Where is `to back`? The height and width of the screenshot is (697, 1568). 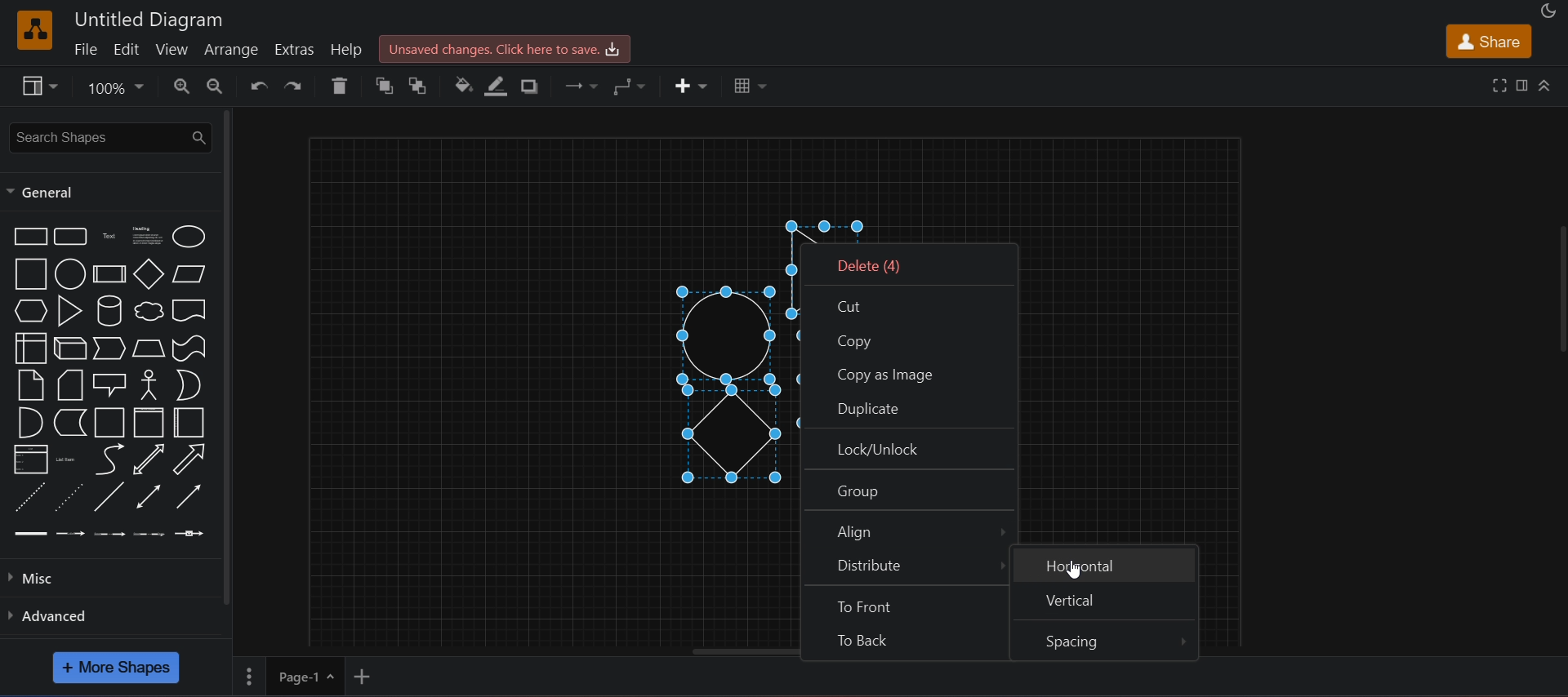 to back is located at coordinates (424, 86).